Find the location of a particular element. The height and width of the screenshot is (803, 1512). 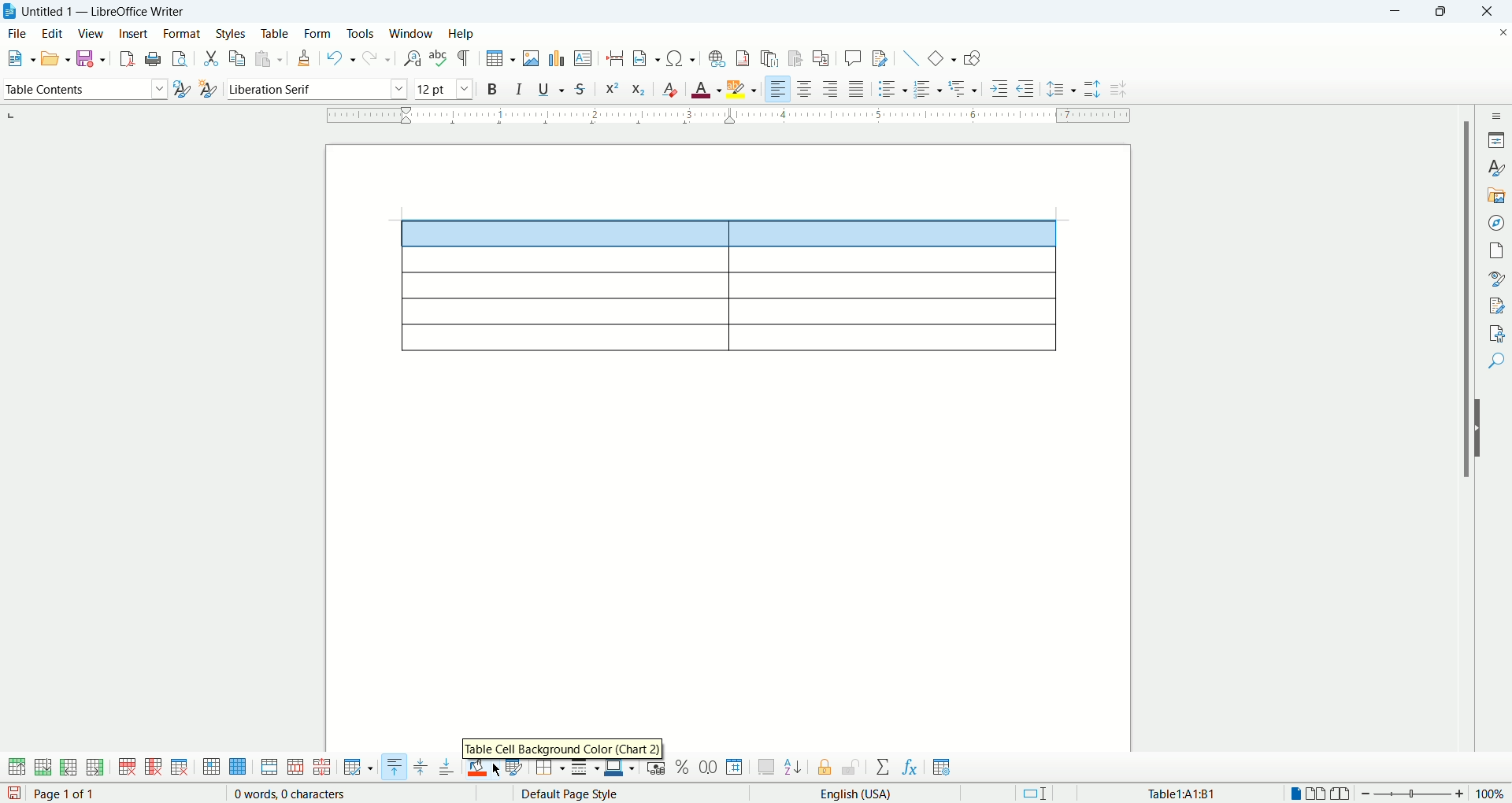

insert endnote is located at coordinates (773, 58).